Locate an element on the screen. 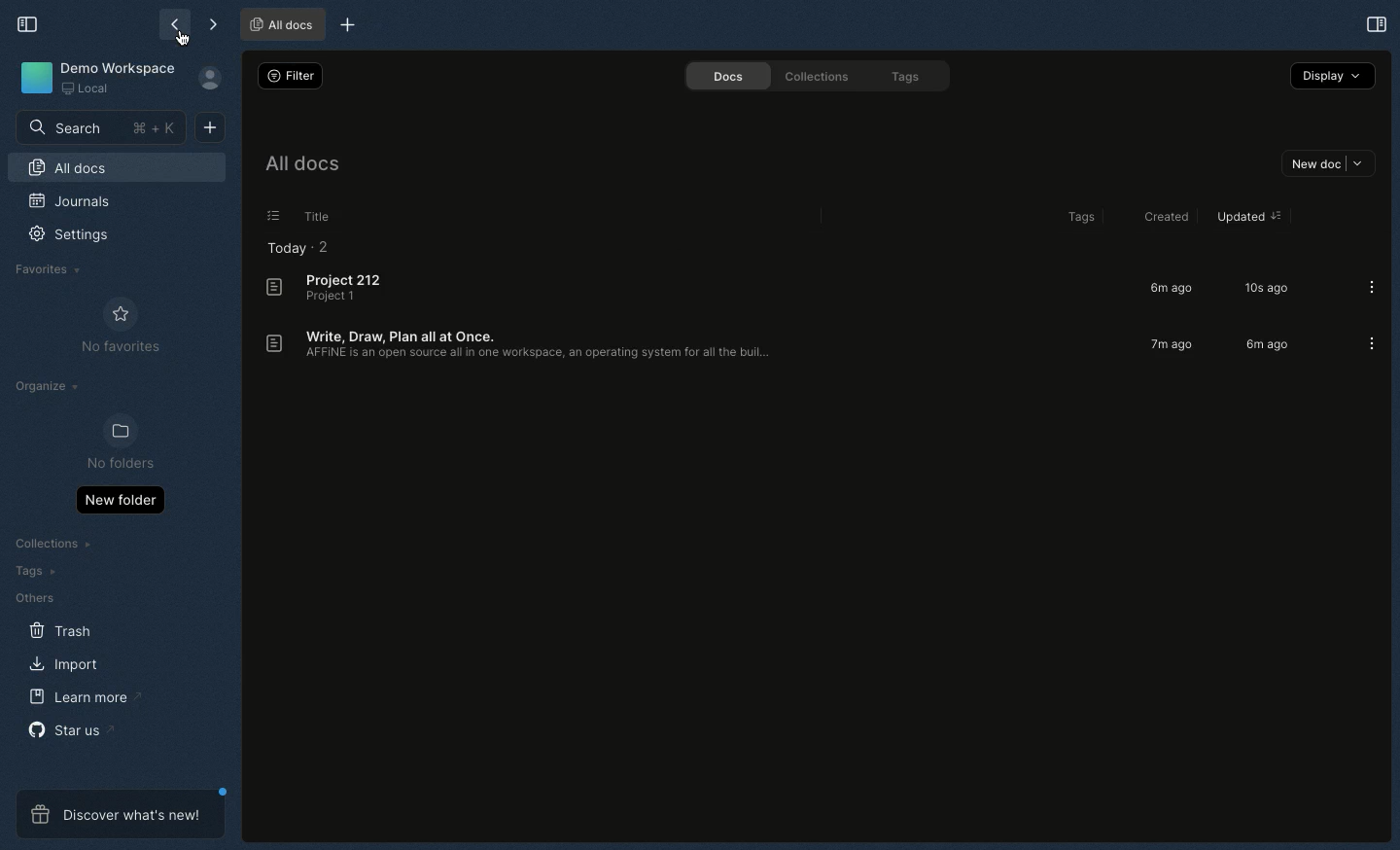  Favourites is located at coordinates (50, 270).